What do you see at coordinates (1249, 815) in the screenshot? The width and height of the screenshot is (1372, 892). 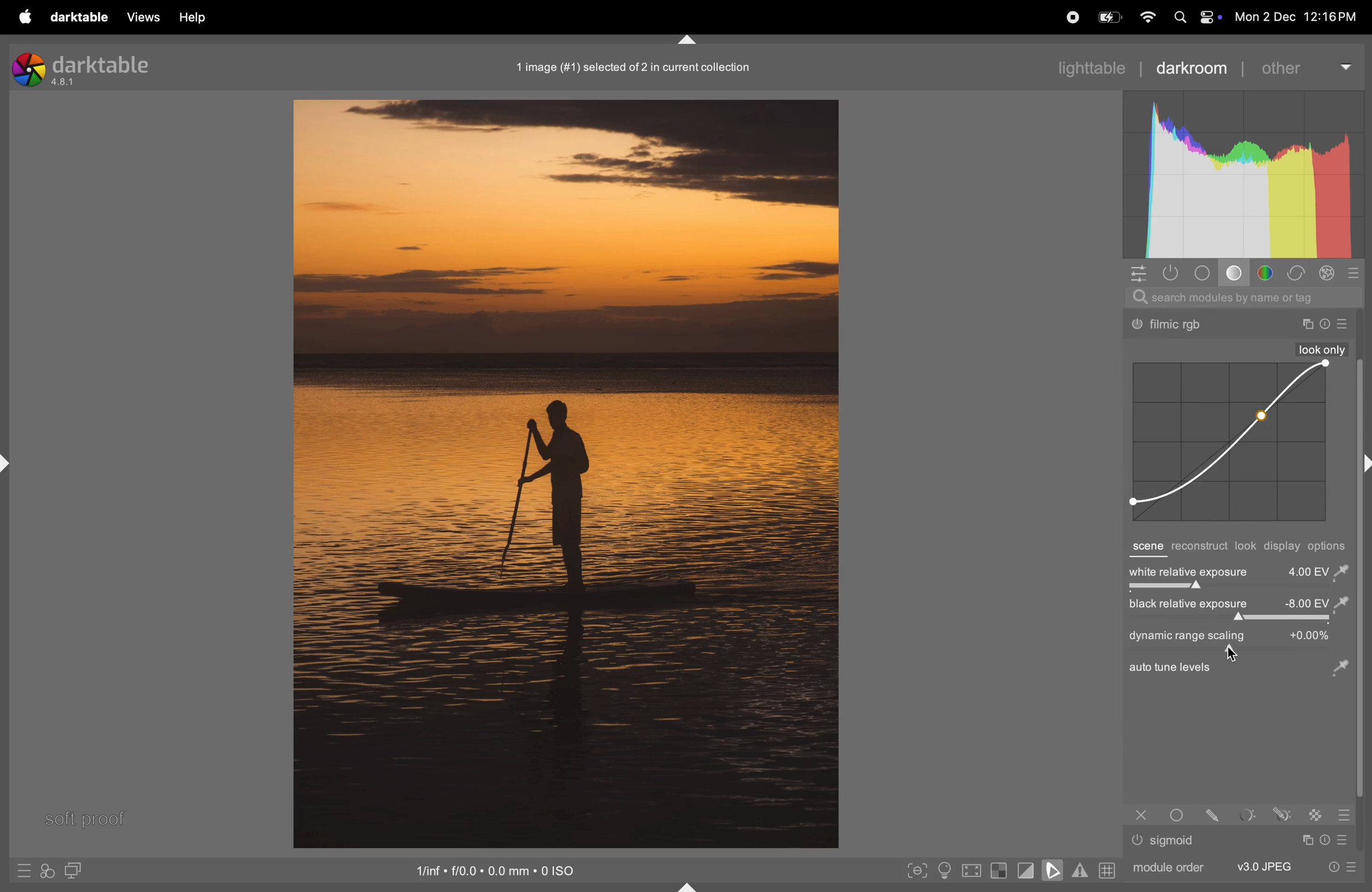 I see `` at bounding box center [1249, 815].